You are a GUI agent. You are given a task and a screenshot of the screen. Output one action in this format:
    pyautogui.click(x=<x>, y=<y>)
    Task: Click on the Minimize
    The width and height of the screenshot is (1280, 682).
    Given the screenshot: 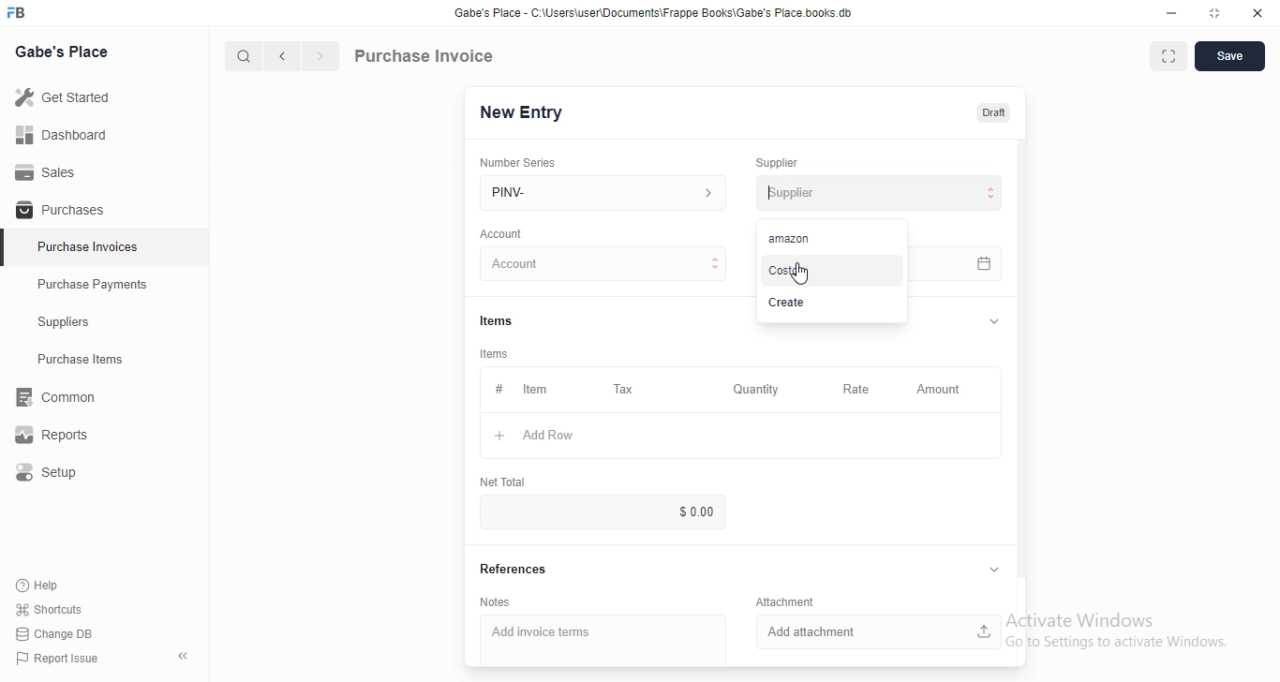 What is the action you would take?
    pyautogui.click(x=1171, y=13)
    